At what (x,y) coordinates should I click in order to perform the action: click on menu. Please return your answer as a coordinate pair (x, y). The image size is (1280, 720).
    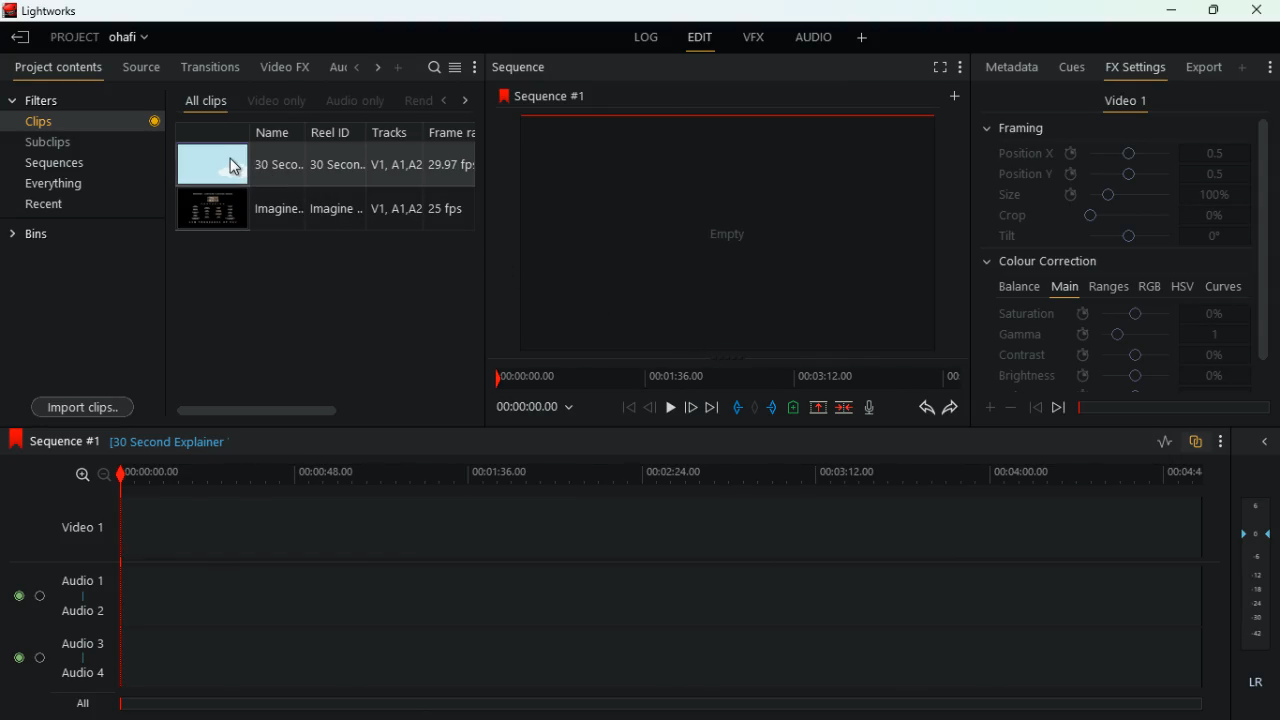
    Looking at the image, I should click on (455, 67).